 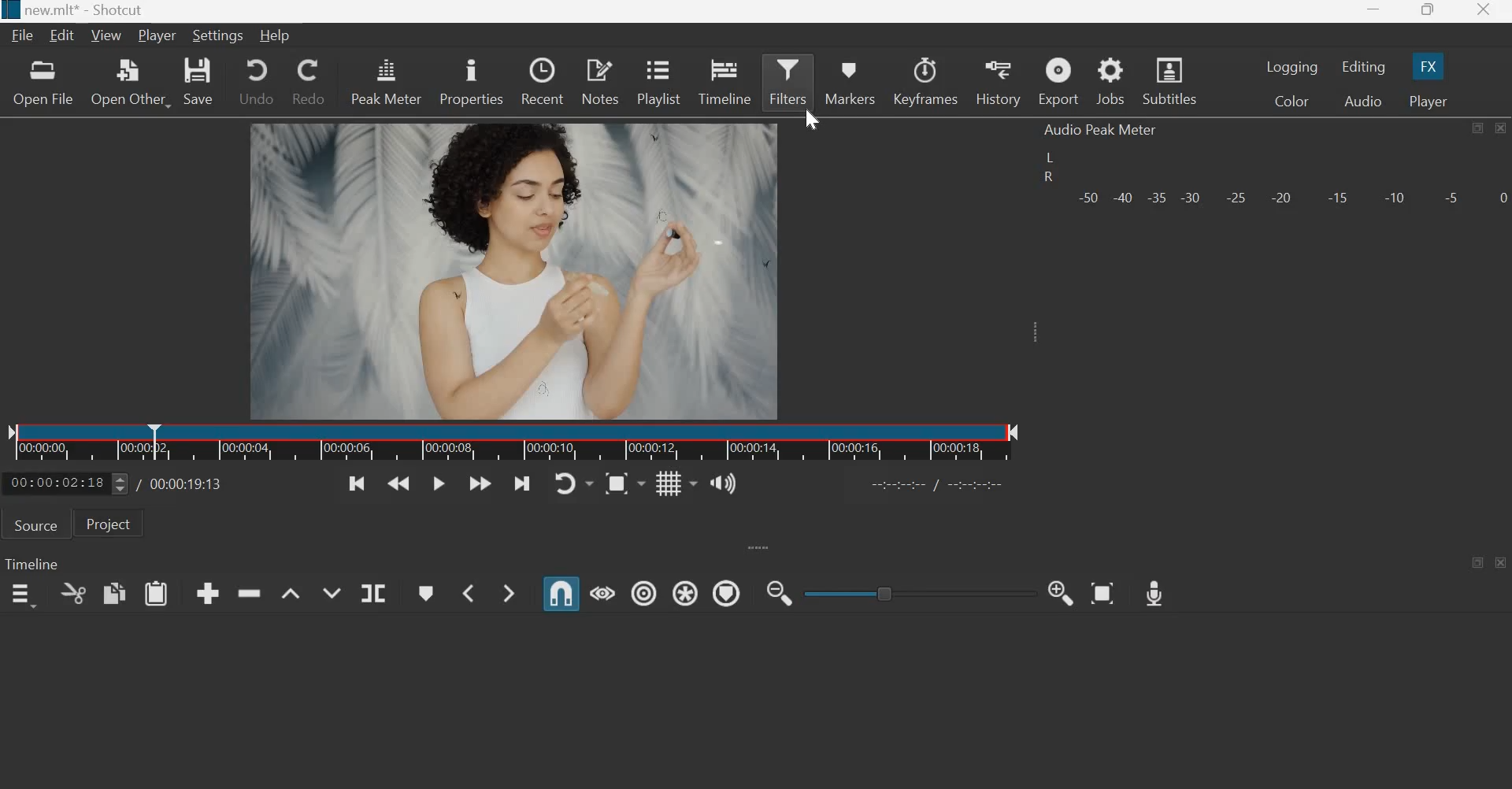 What do you see at coordinates (1169, 80) in the screenshot?
I see `Subtitles` at bounding box center [1169, 80].